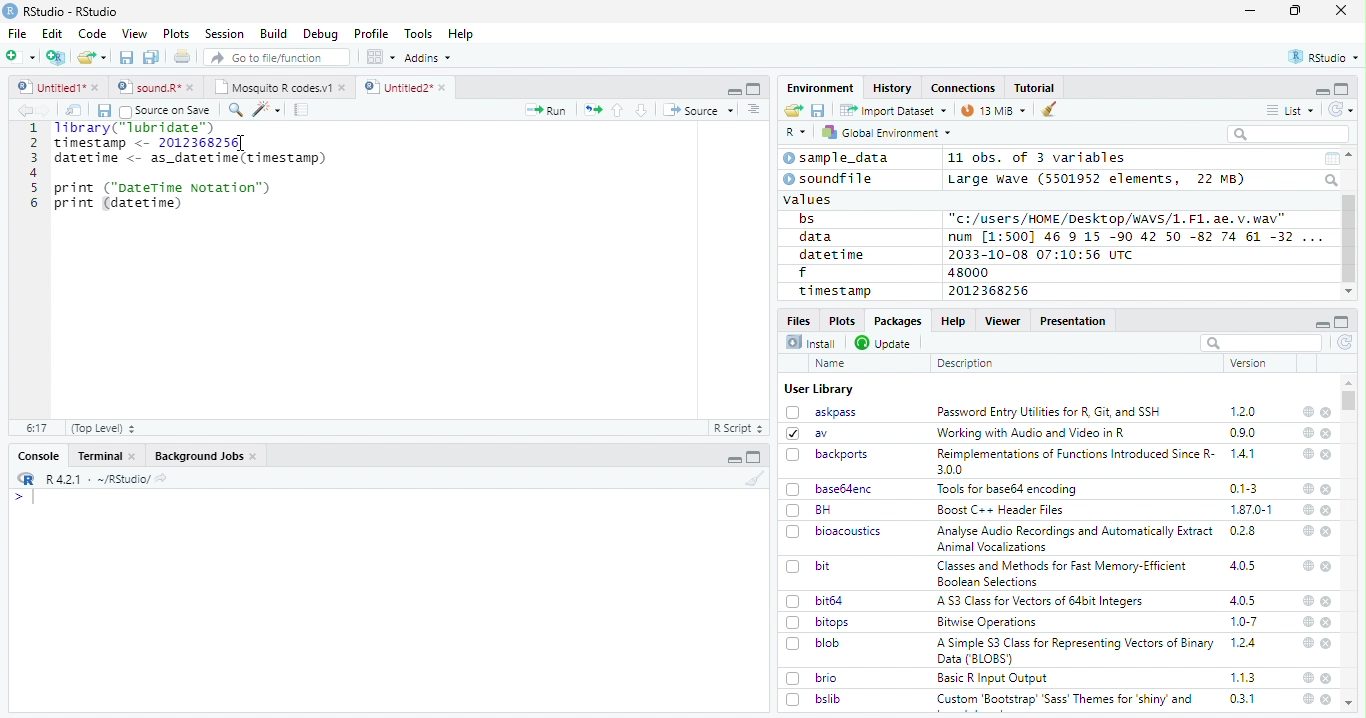 The height and width of the screenshot is (718, 1366). I want to click on BH, so click(811, 510).